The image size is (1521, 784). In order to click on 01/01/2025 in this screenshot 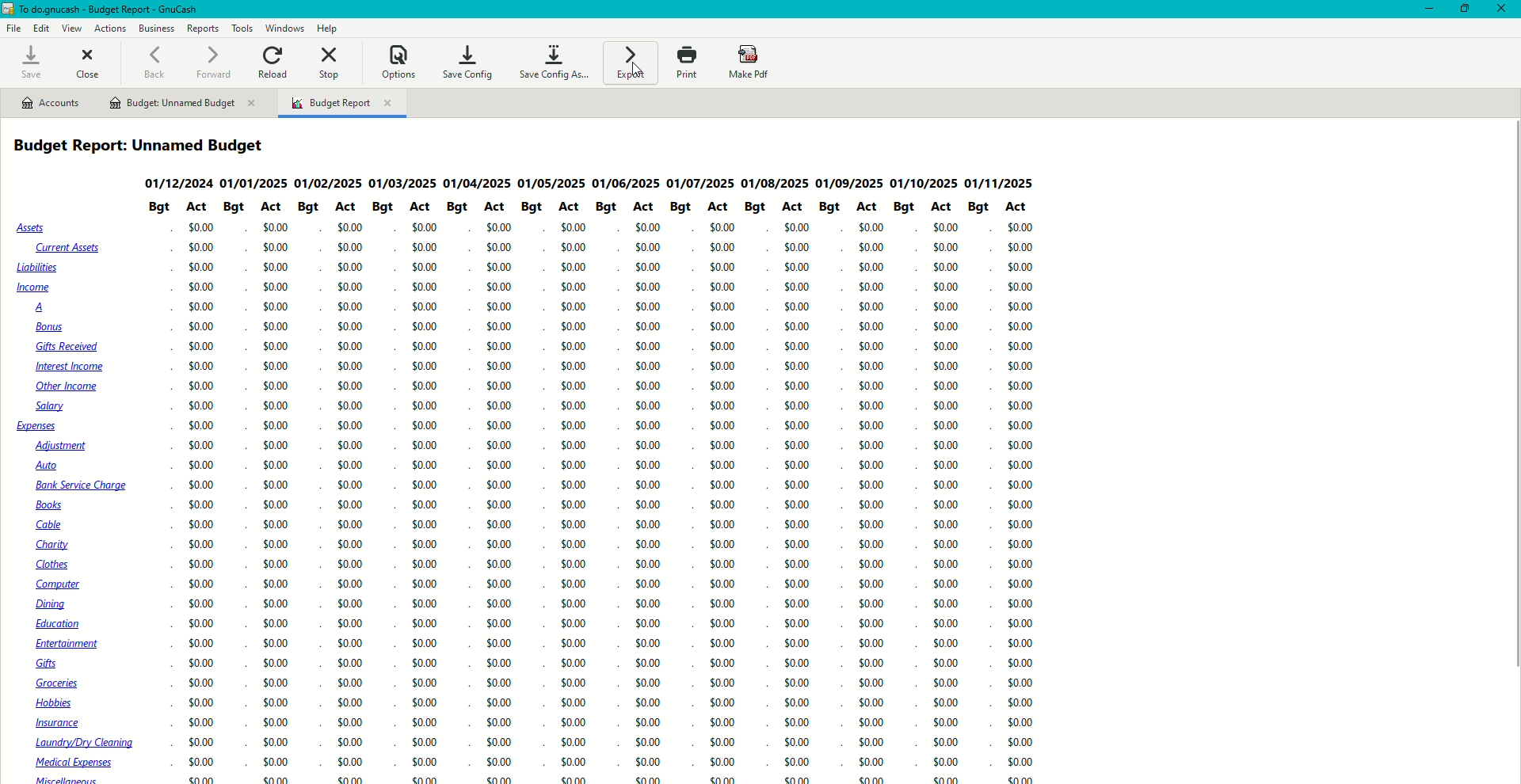, I will do `click(254, 184)`.